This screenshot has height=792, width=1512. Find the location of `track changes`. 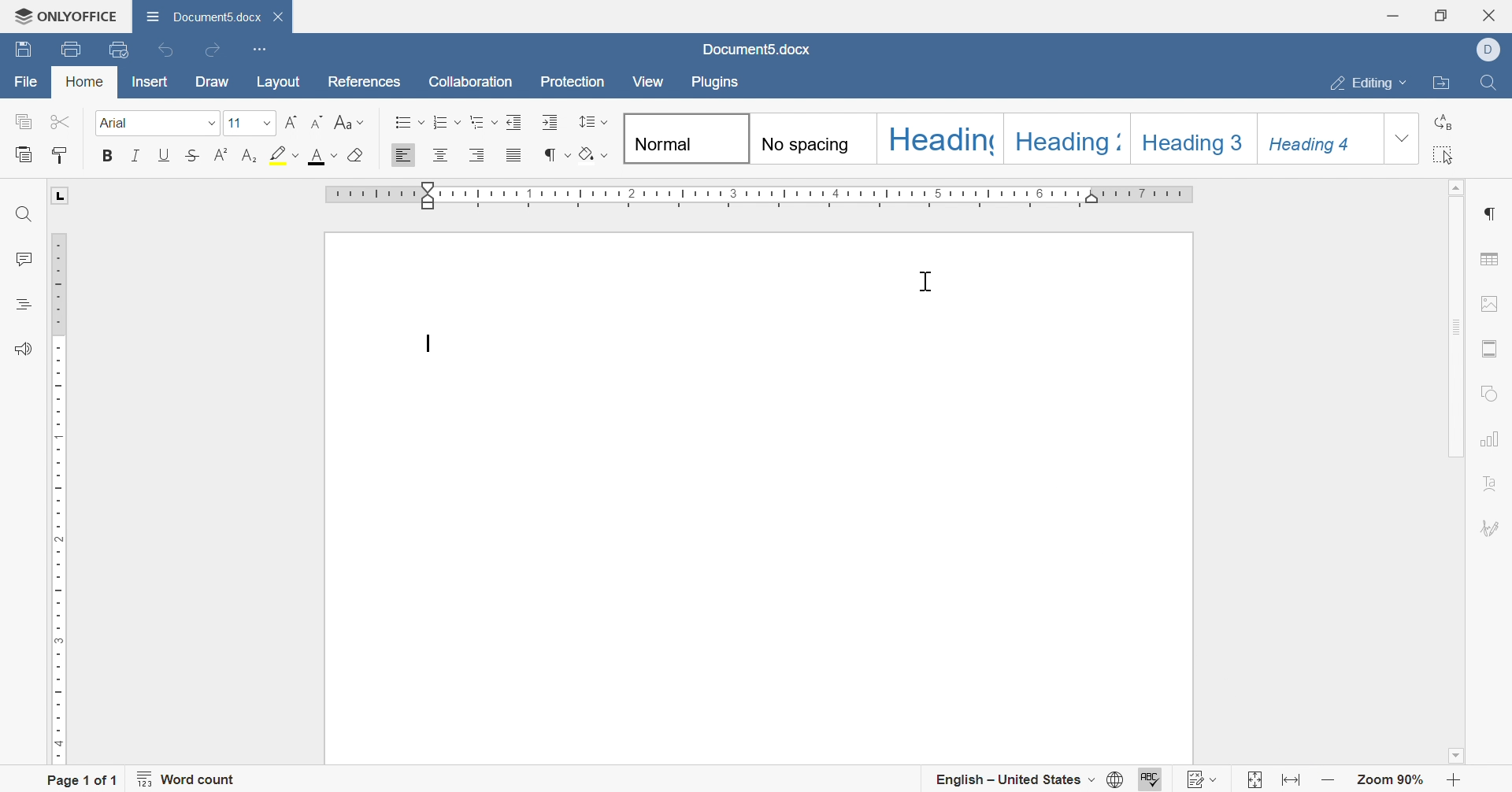

track changes is located at coordinates (1203, 779).